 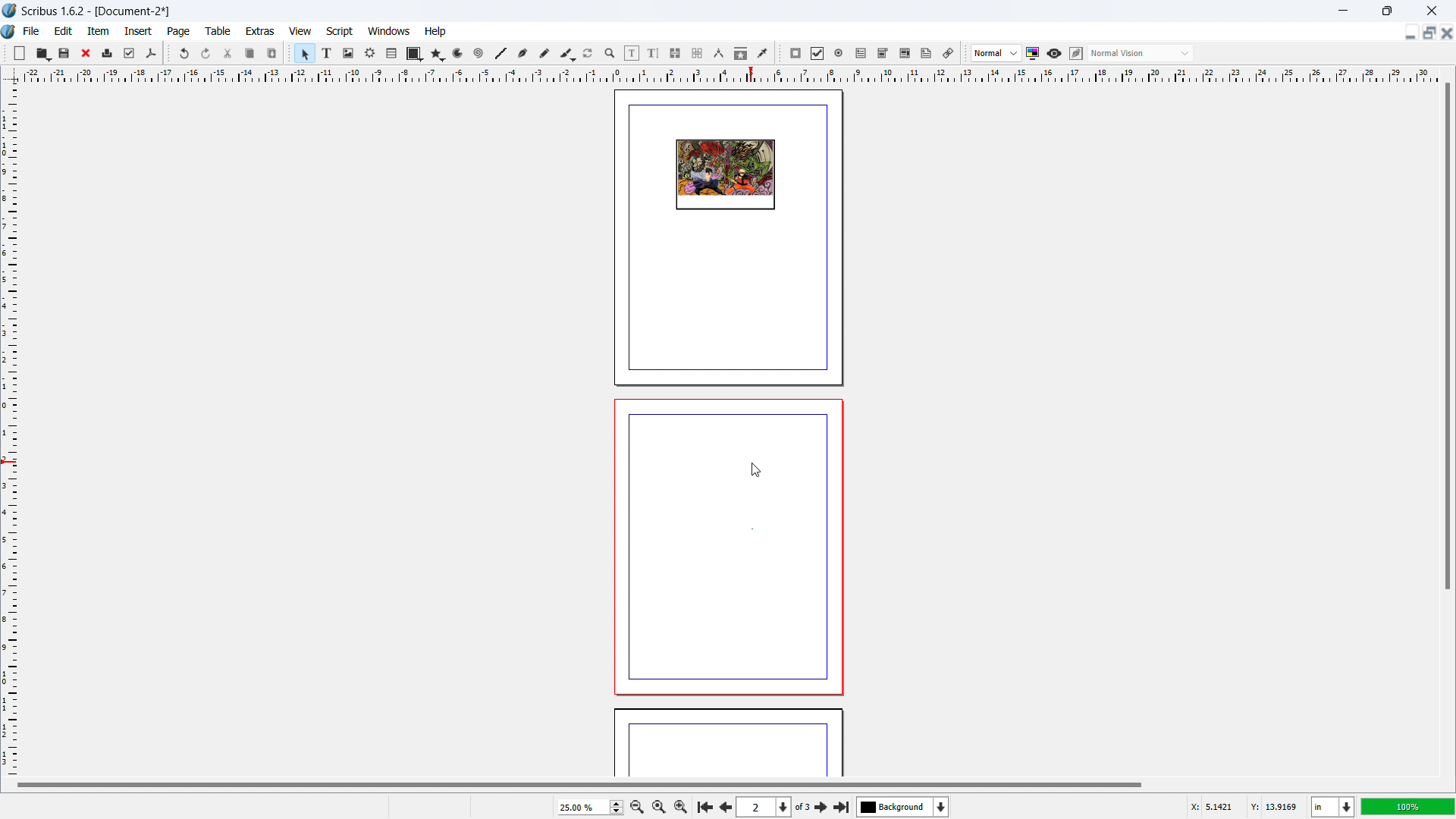 I want to click on edit, so click(x=64, y=31).